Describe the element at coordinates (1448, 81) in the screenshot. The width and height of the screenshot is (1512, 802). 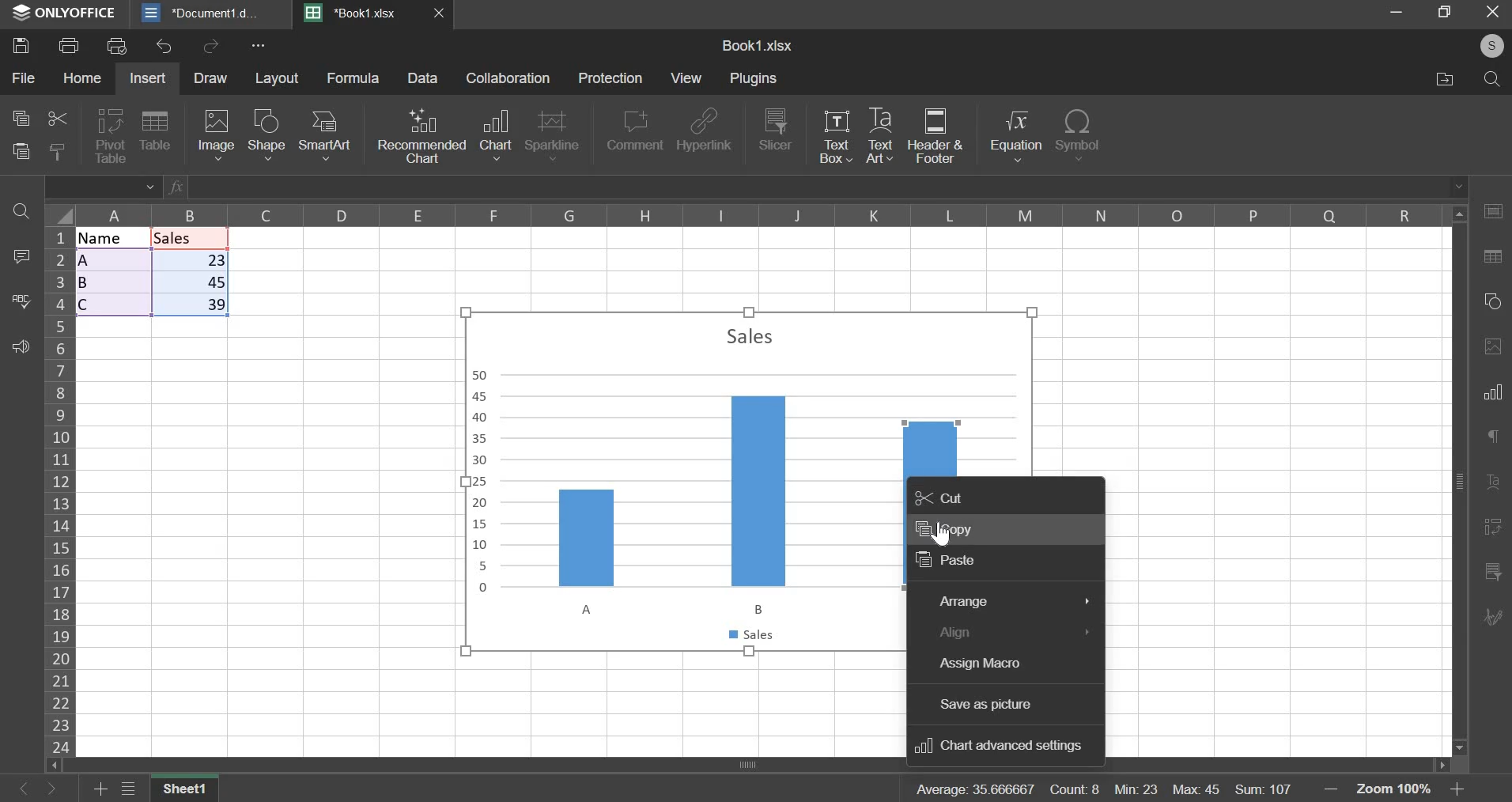
I see `file location` at that location.